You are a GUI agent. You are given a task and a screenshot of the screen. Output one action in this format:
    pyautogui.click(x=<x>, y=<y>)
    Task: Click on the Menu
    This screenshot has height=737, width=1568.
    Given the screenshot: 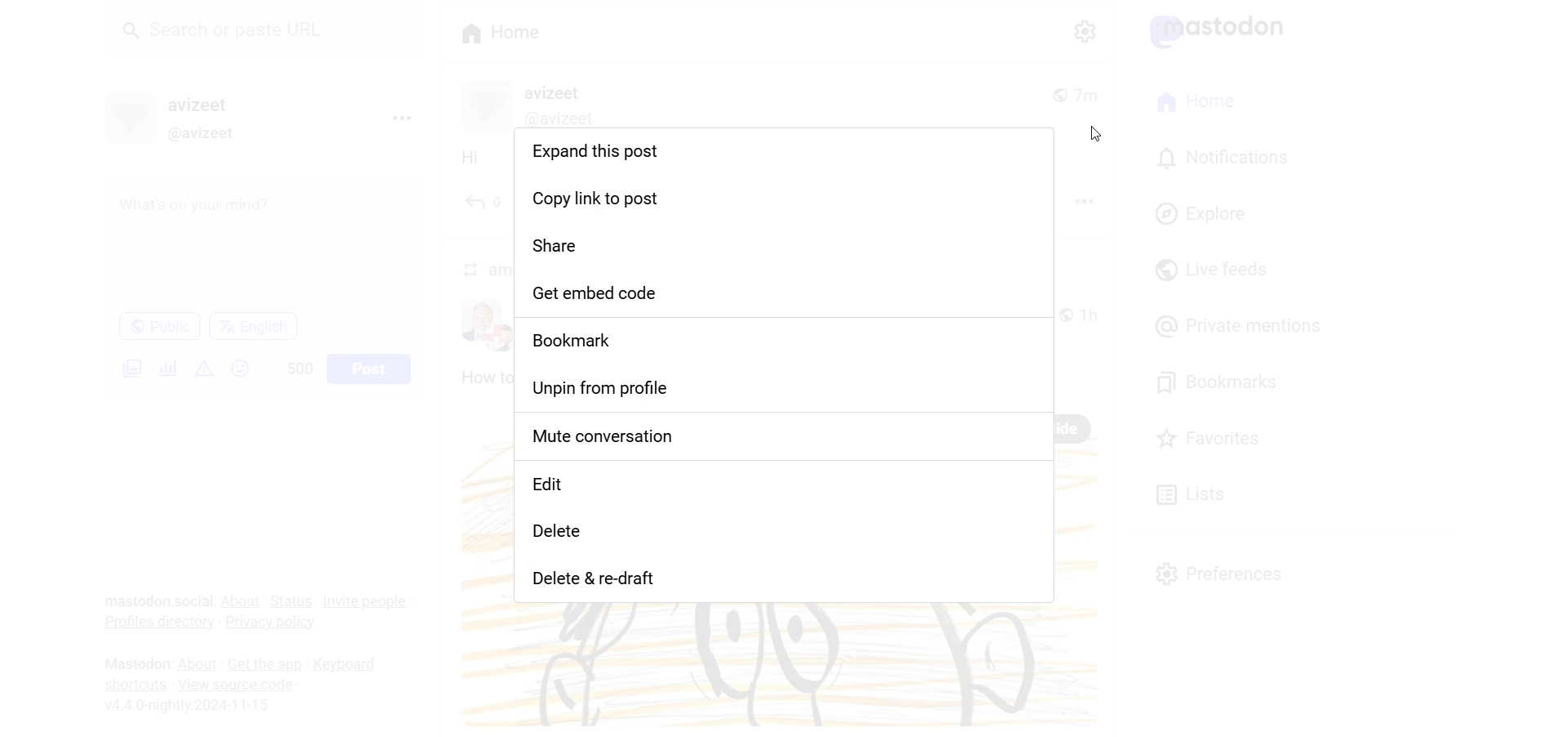 What is the action you would take?
    pyautogui.click(x=401, y=118)
    